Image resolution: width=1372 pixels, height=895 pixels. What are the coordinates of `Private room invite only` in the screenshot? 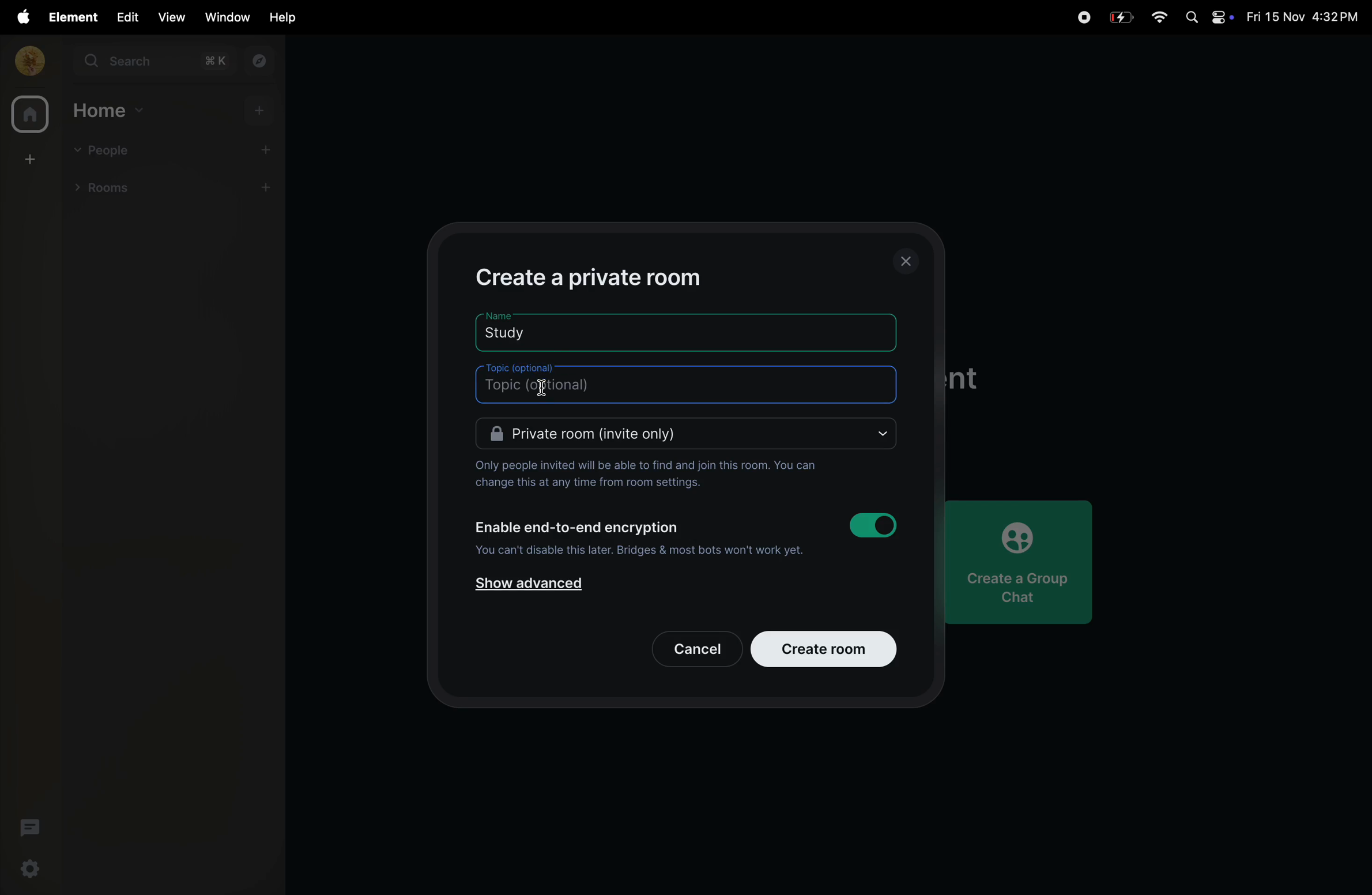 It's located at (687, 435).